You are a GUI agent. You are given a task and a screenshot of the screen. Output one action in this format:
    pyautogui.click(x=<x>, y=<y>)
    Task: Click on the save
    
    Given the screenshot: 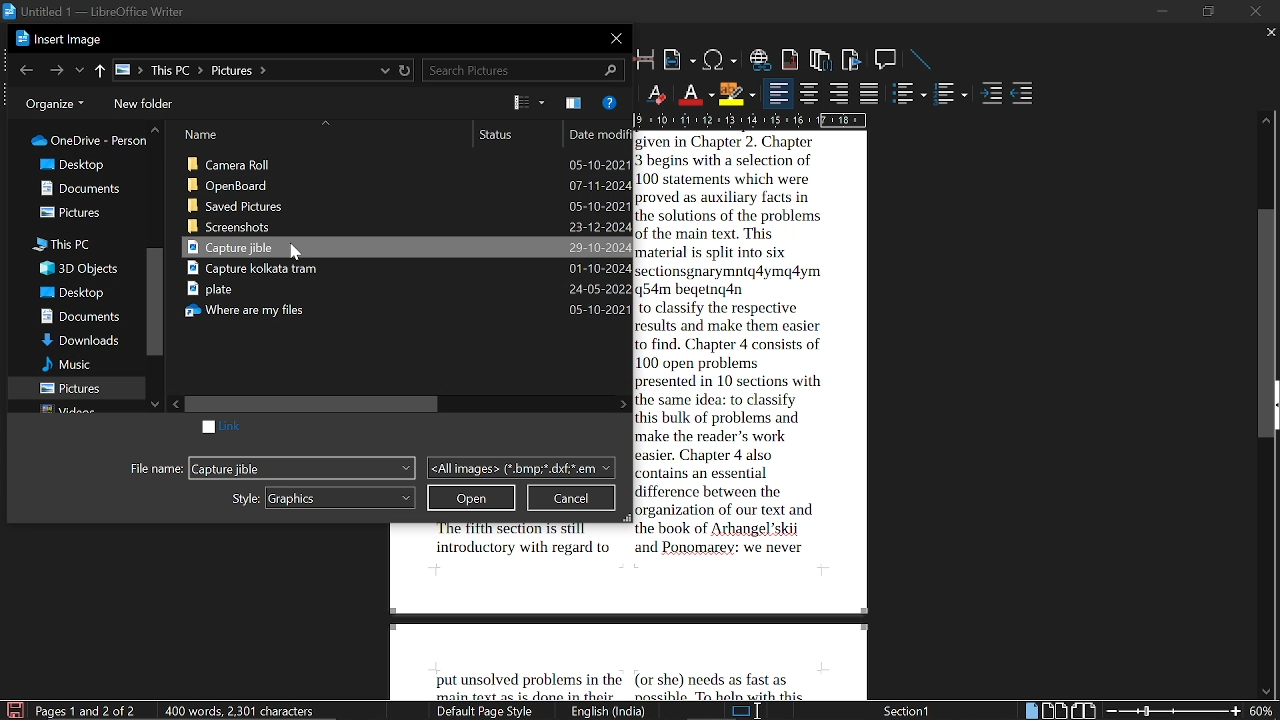 What is the action you would take?
    pyautogui.click(x=13, y=710)
    